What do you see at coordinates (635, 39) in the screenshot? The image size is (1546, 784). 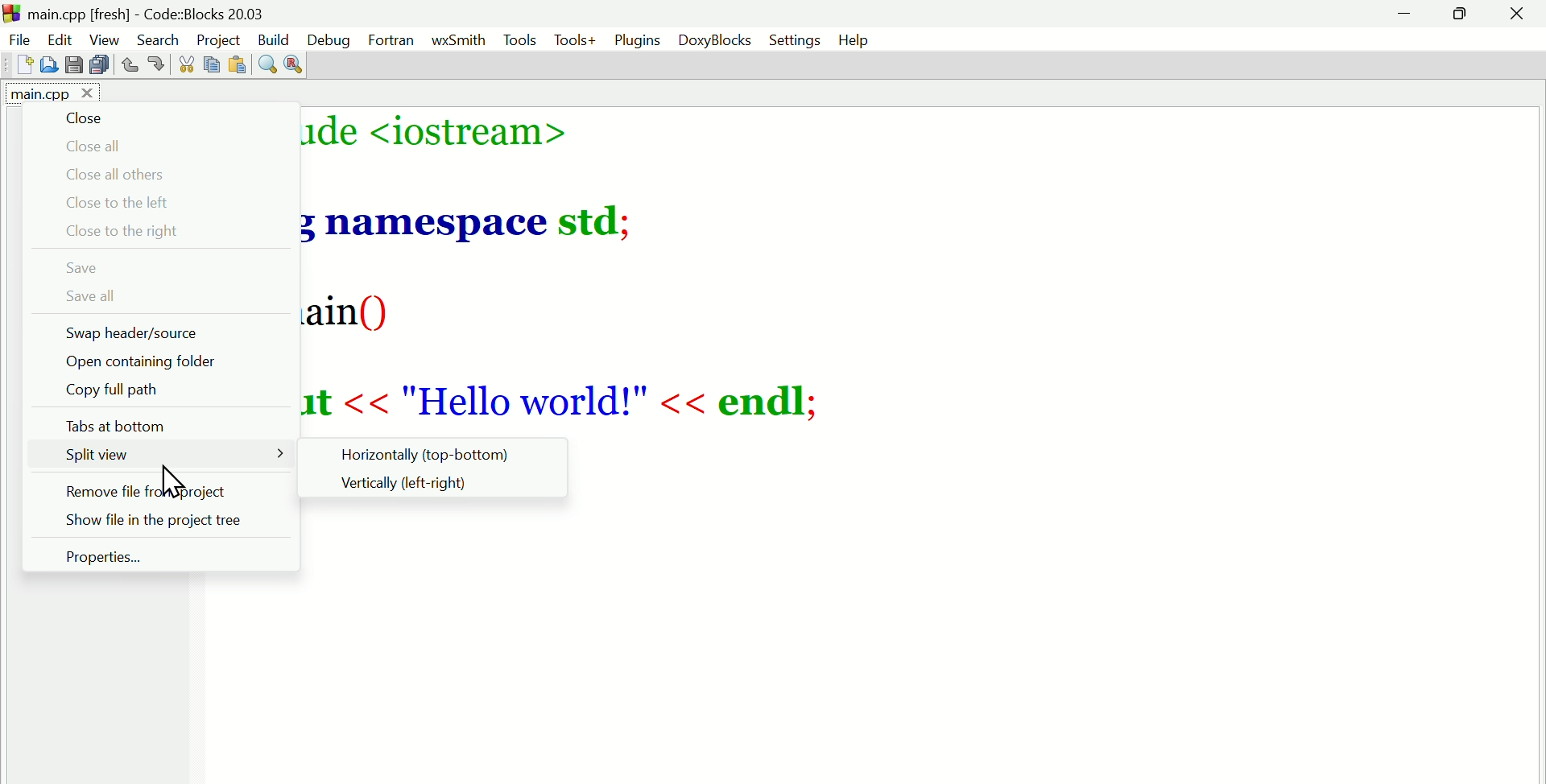 I see `plugins` at bounding box center [635, 39].